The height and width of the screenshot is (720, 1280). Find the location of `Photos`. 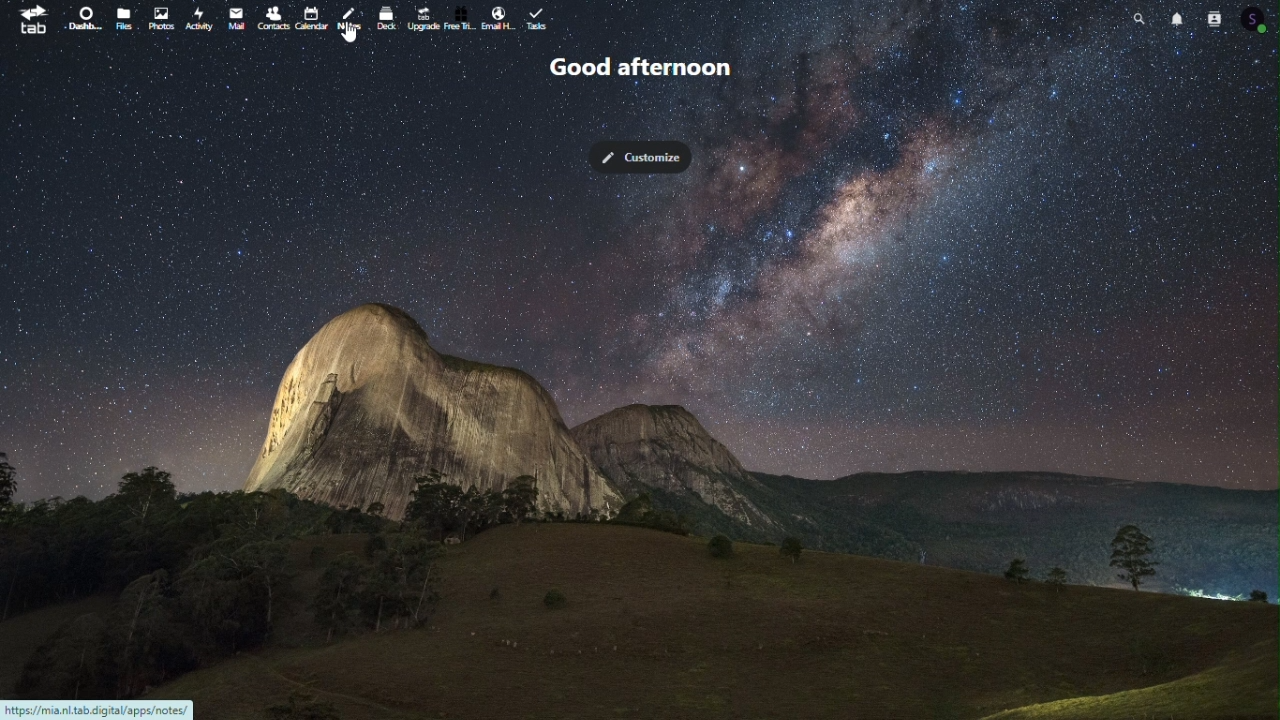

Photos is located at coordinates (161, 19).